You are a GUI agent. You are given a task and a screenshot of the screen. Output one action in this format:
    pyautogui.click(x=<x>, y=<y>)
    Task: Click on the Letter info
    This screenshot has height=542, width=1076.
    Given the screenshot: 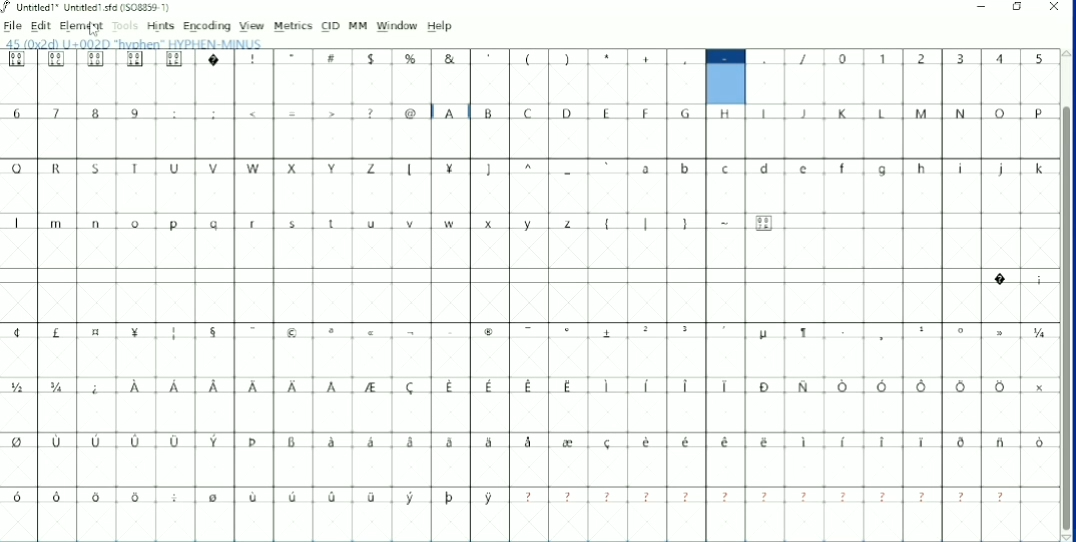 What is the action you would take?
    pyautogui.click(x=141, y=43)
    